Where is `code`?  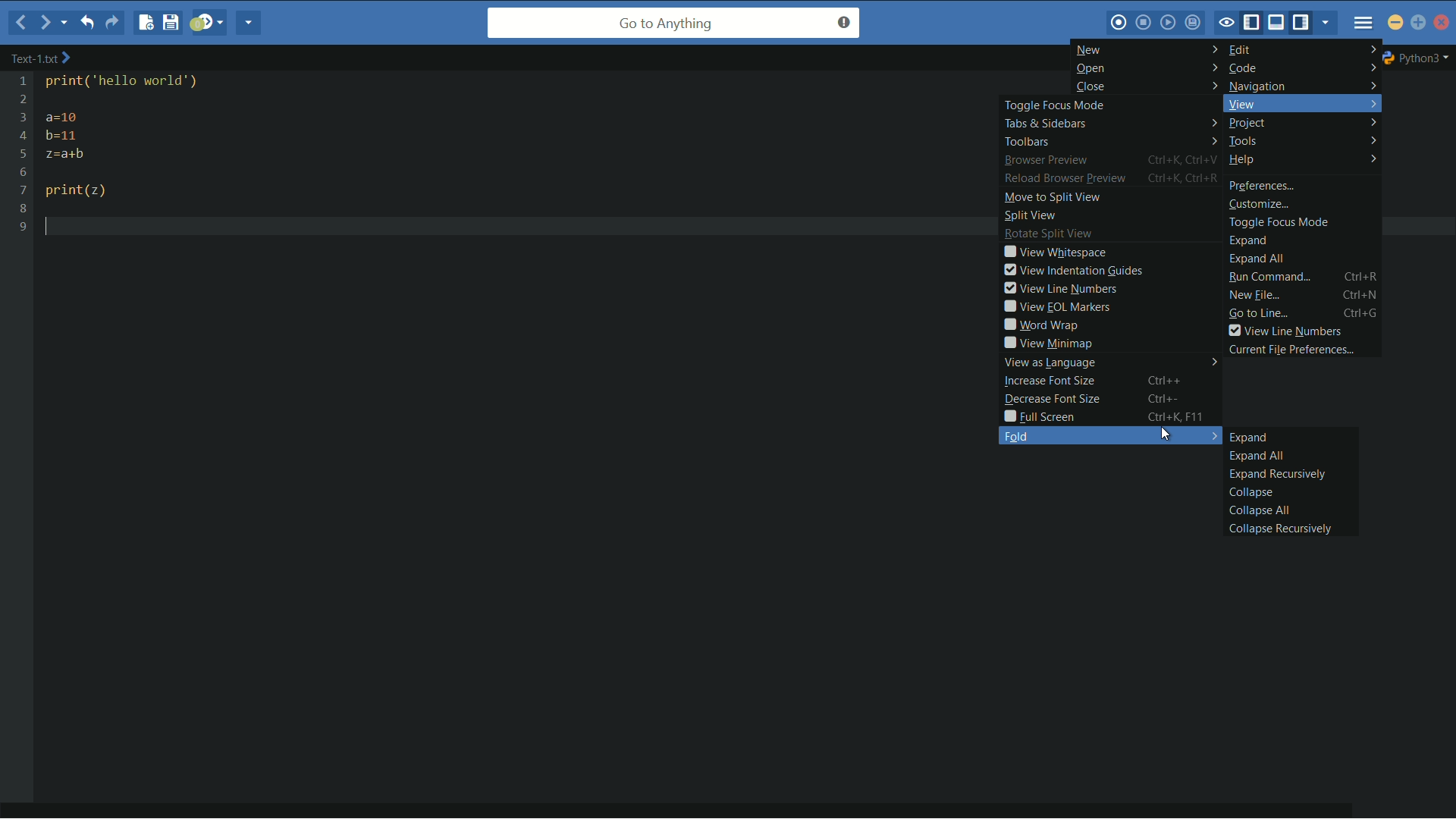 code is located at coordinates (1299, 68).